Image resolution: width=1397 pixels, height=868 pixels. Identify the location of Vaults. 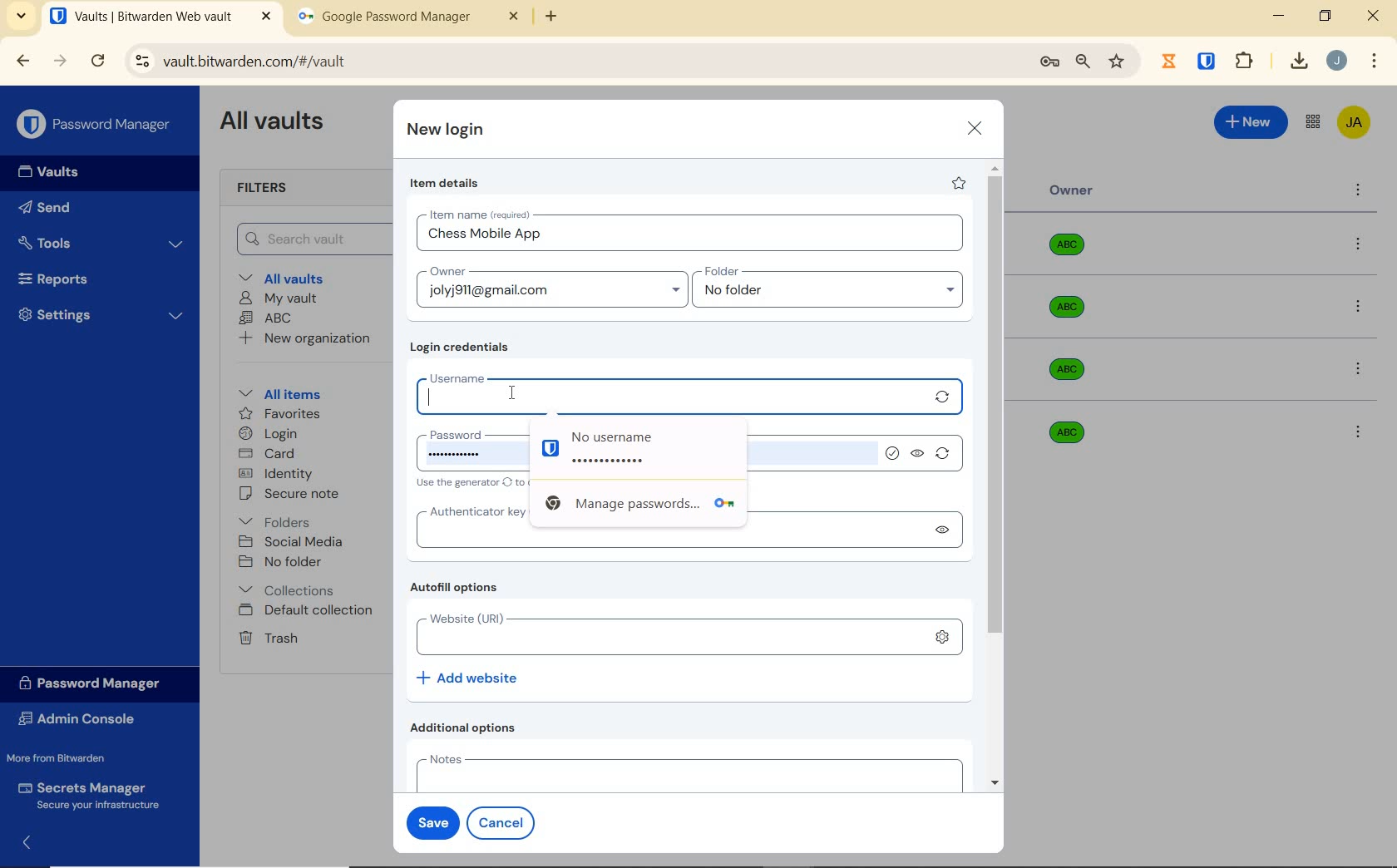
(53, 172).